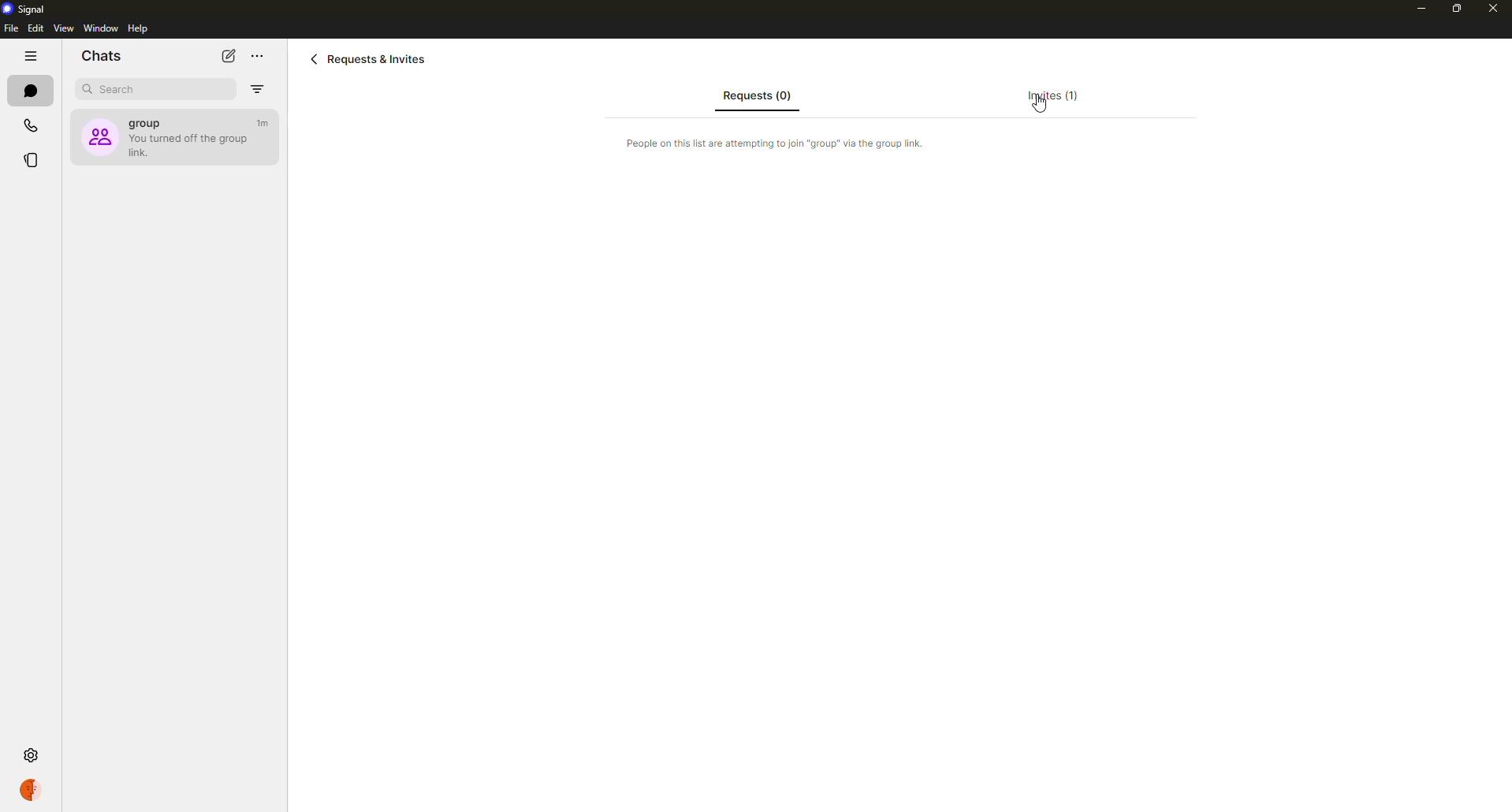 The width and height of the screenshot is (1512, 812). Describe the element at coordinates (229, 56) in the screenshot. I see `new chat` at that location.